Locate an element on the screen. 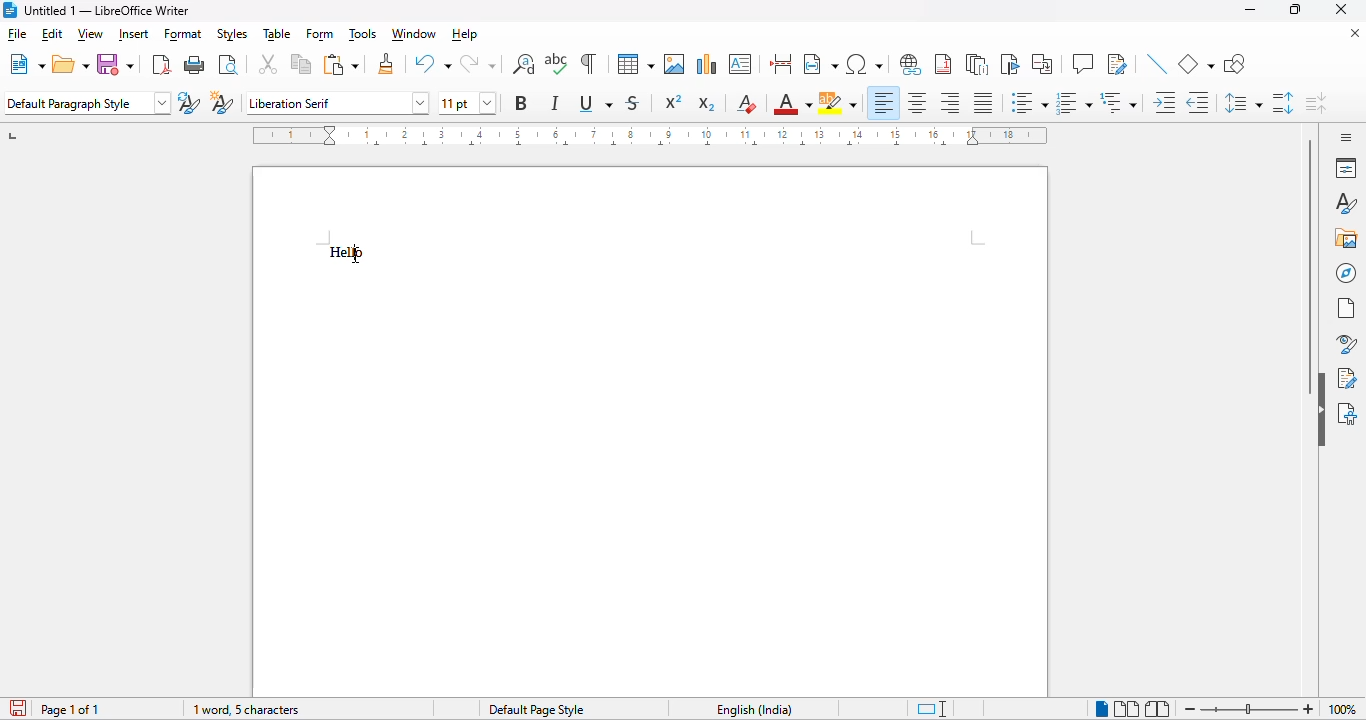 The image size is (1366, 720). check spelling is located at coordinates (557, 63).